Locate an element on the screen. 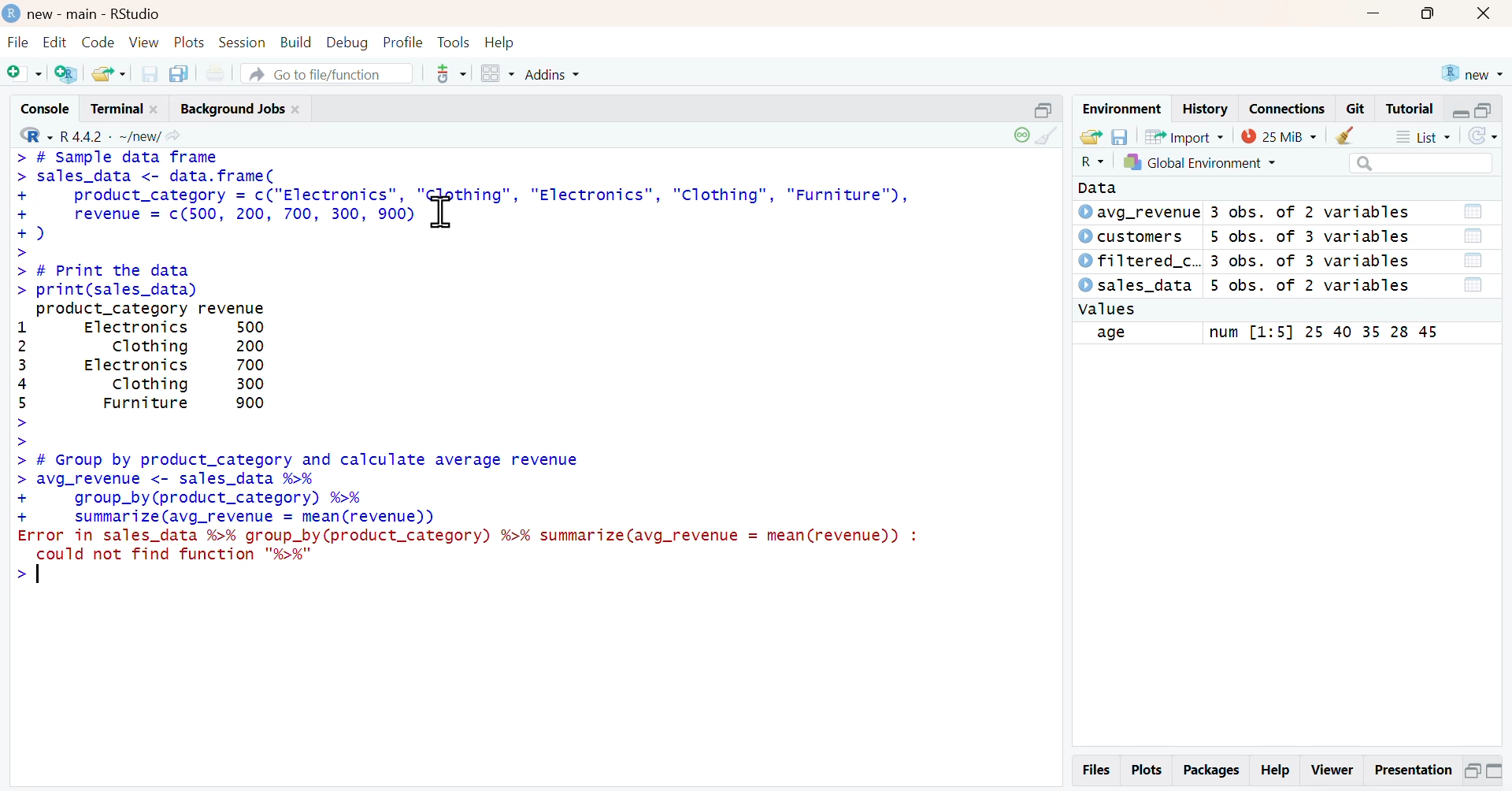 Image resolution: width=1512 pixels, height=791 pixels. clear is located at coordinates (1349, 135).